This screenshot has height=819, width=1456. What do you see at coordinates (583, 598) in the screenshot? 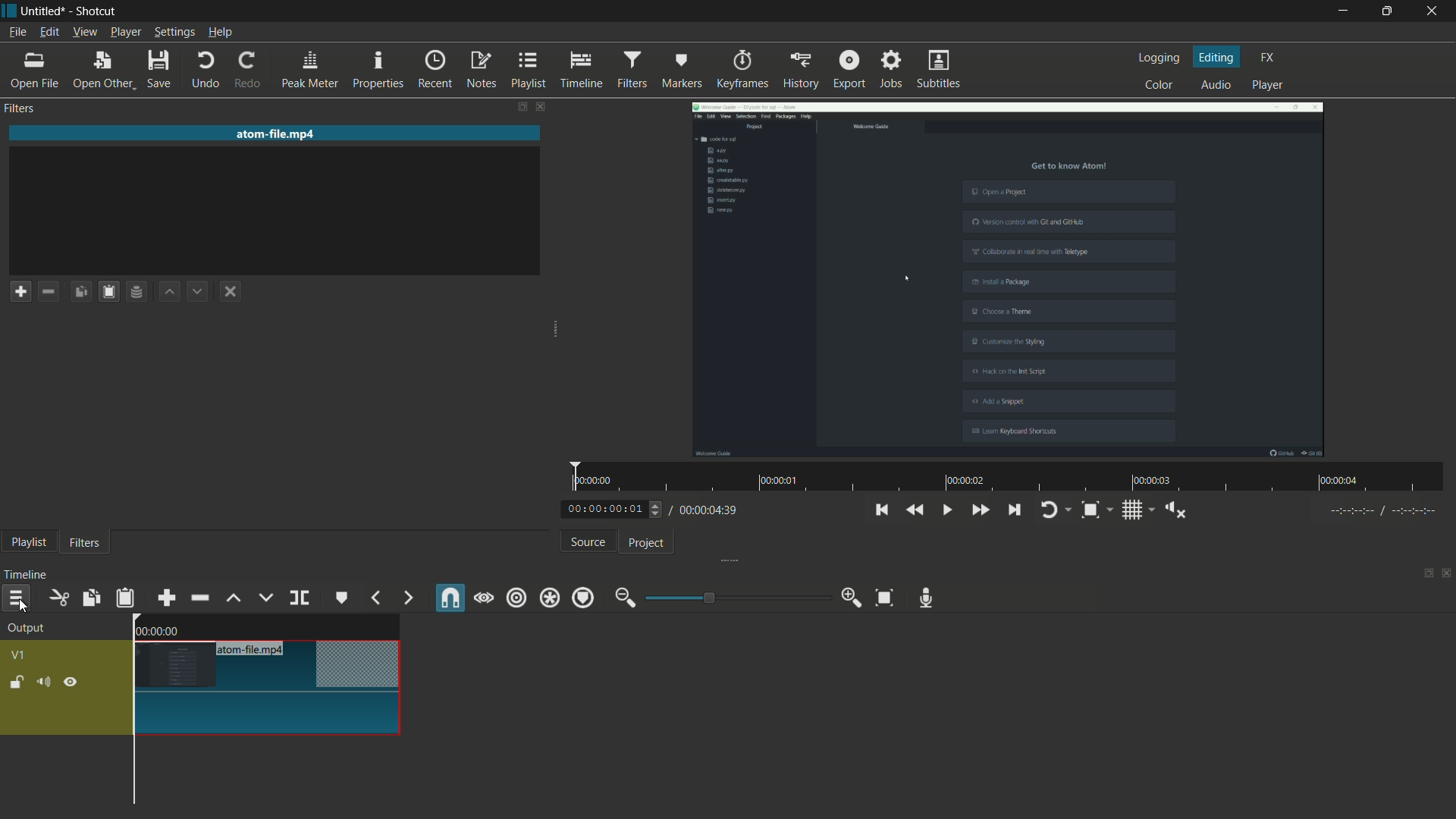
I see `ripple markers` at bounding box center [583, 598].